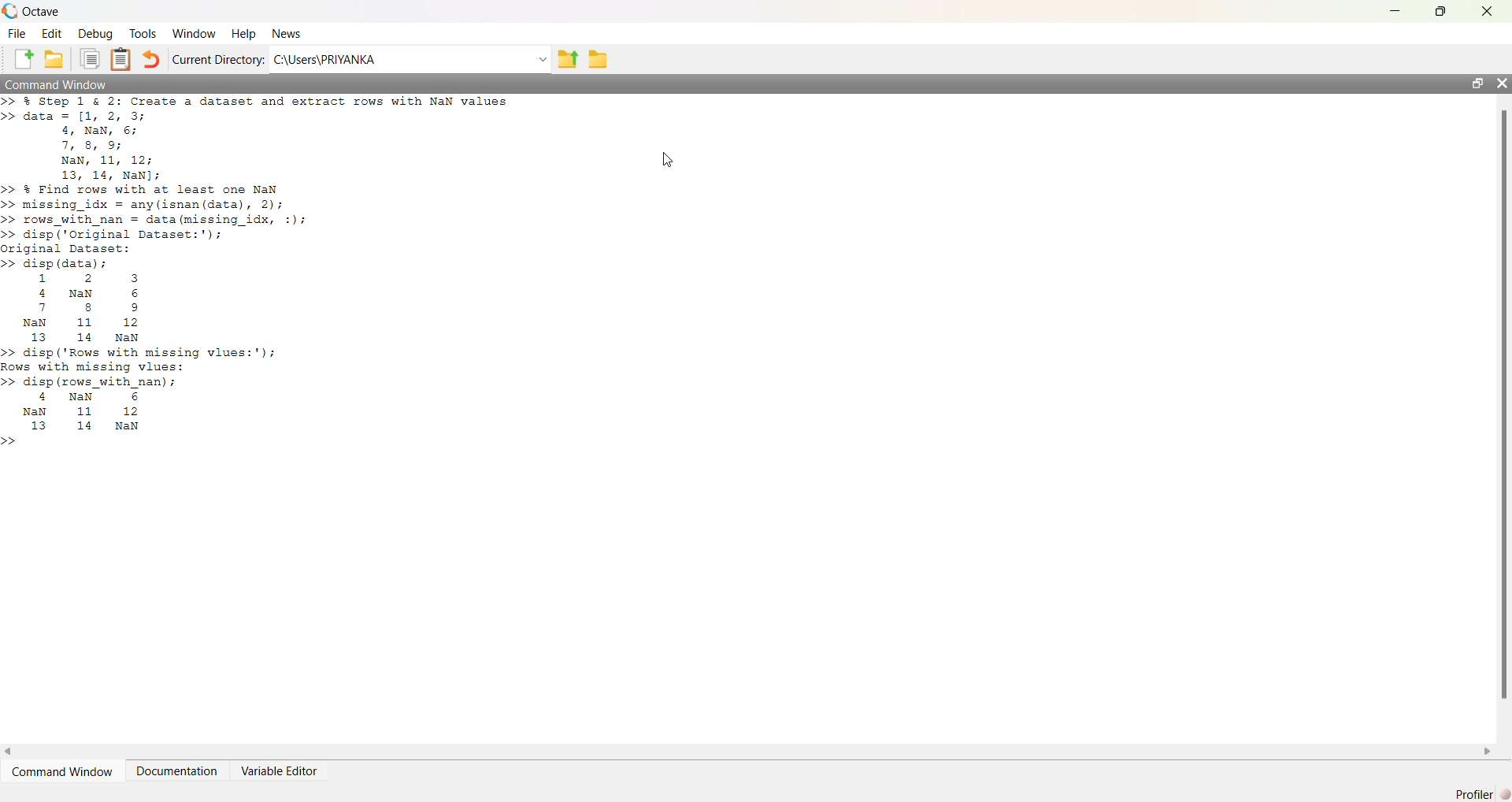  What do you see at coordinates (1488, 752) in the screenshot?
I see `scroll right` at bounding box center [1488, 752].